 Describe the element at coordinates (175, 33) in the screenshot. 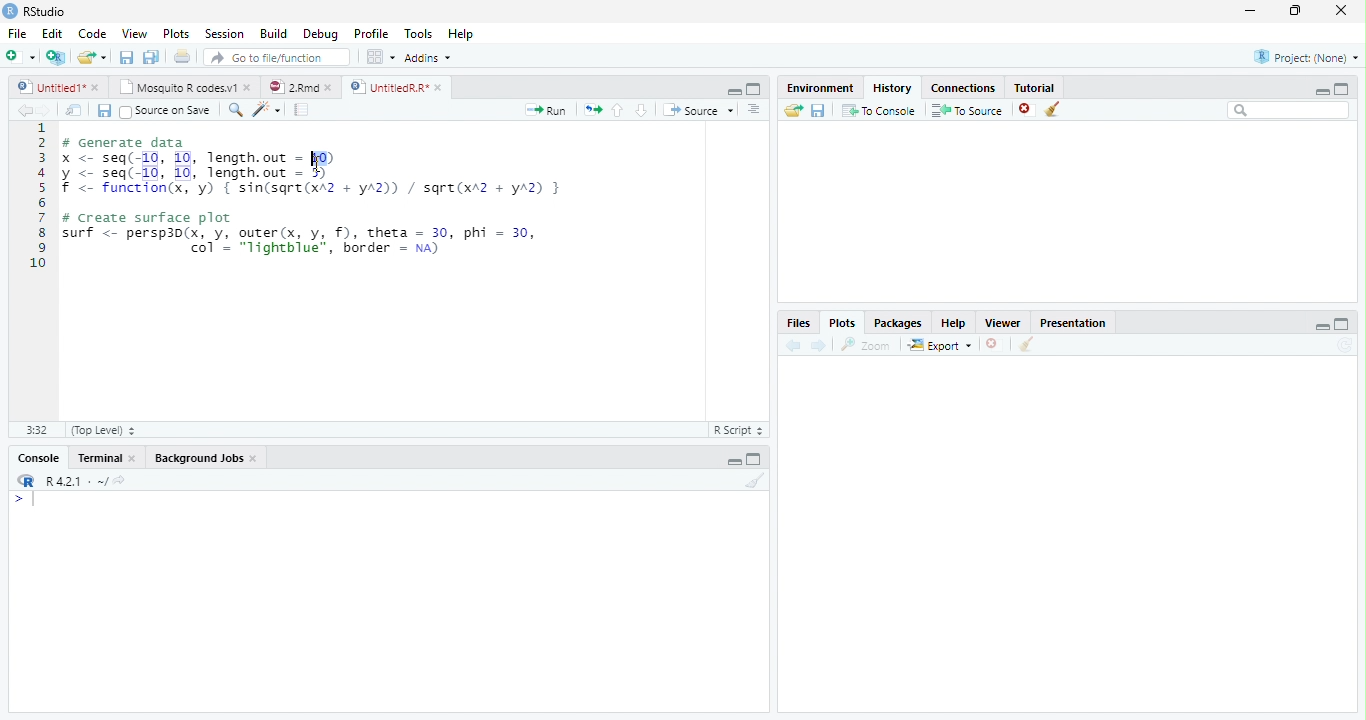

I see `Plots` at that location.